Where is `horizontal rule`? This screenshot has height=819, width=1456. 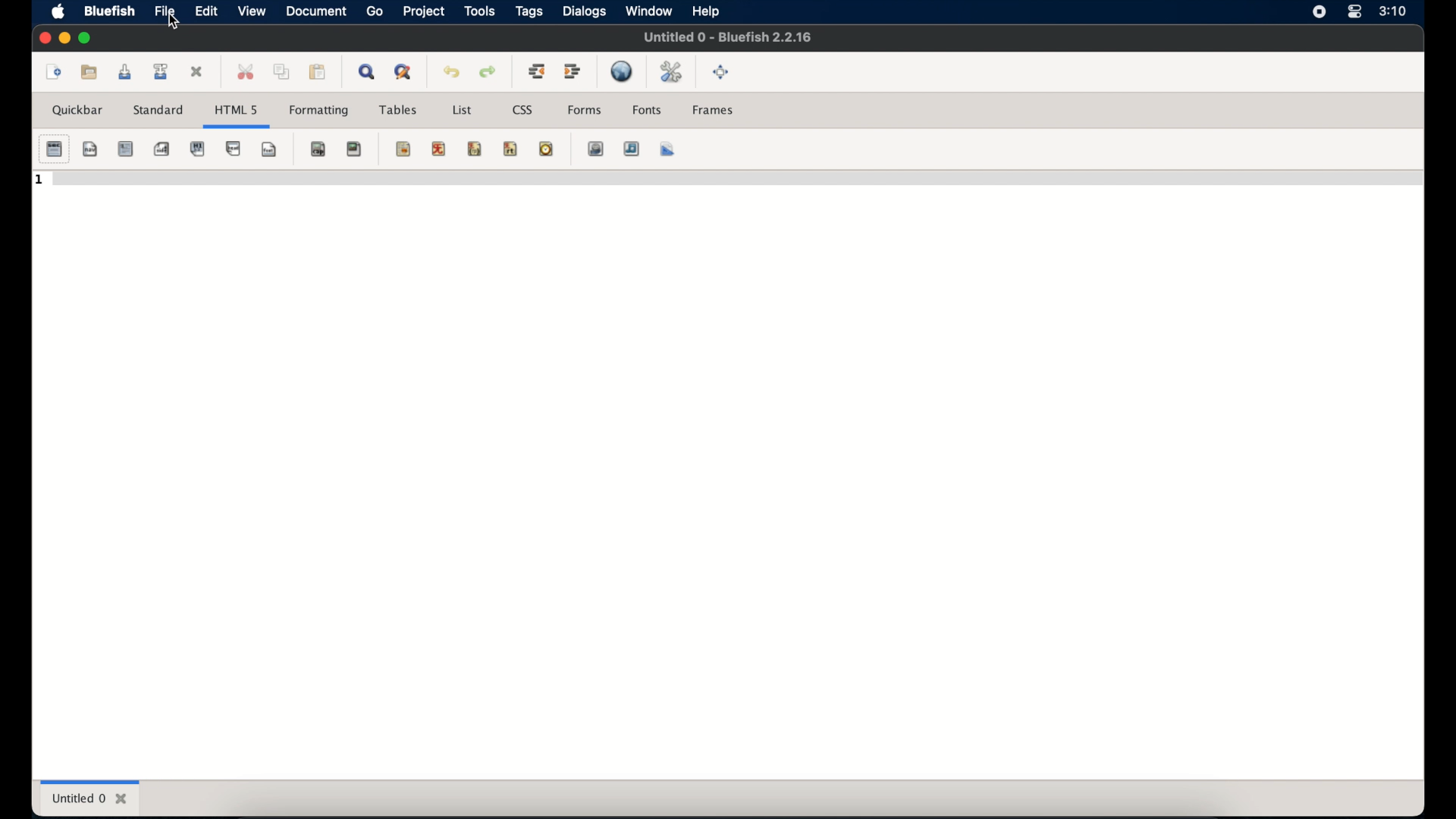 horizontal rule is located at coordinates (389, 149).